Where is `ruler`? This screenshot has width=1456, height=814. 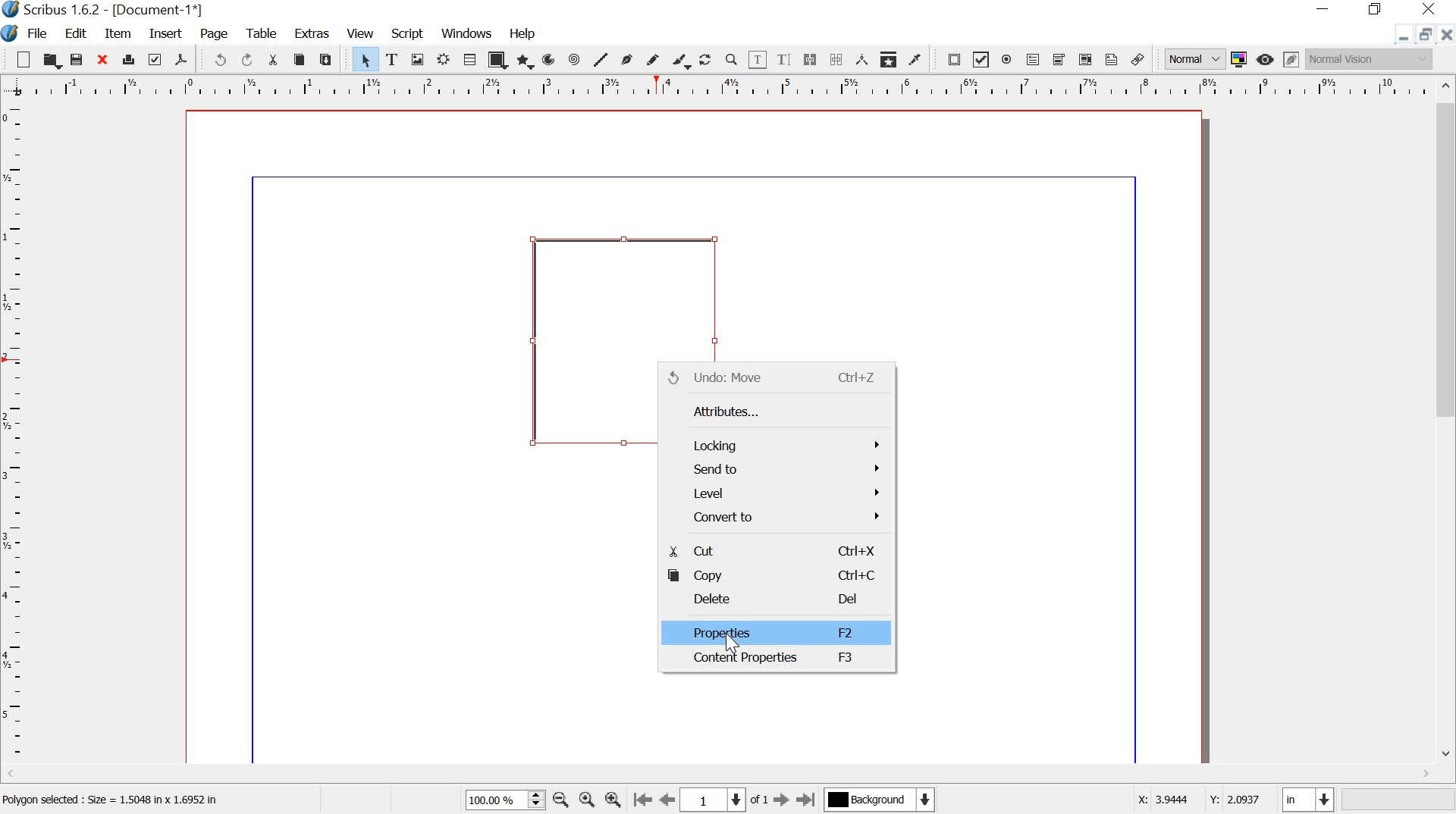
ruler is located at coordinates (717, 86).